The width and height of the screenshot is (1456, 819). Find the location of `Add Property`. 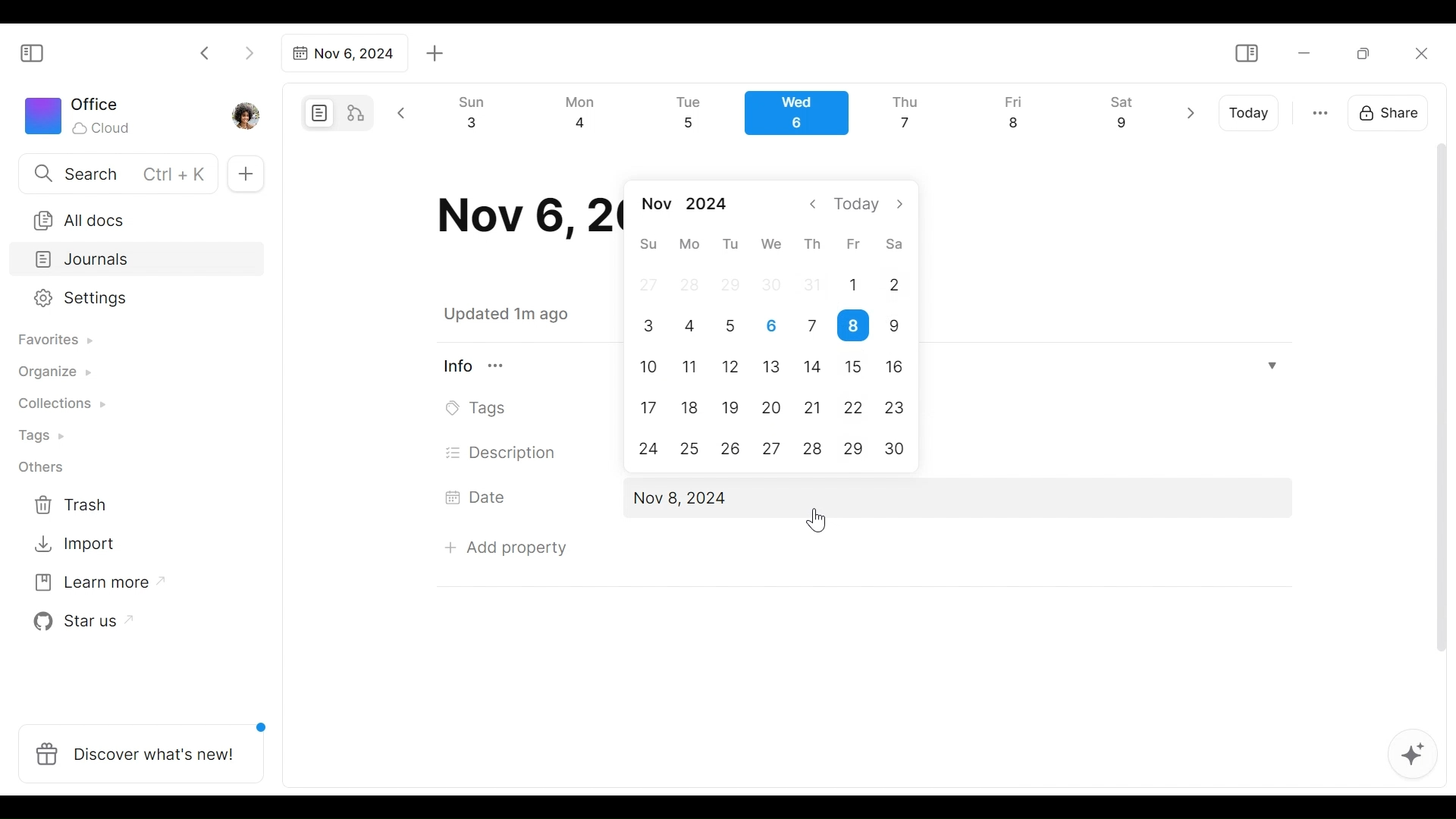

Add Property is located at coordinates (506, 544).